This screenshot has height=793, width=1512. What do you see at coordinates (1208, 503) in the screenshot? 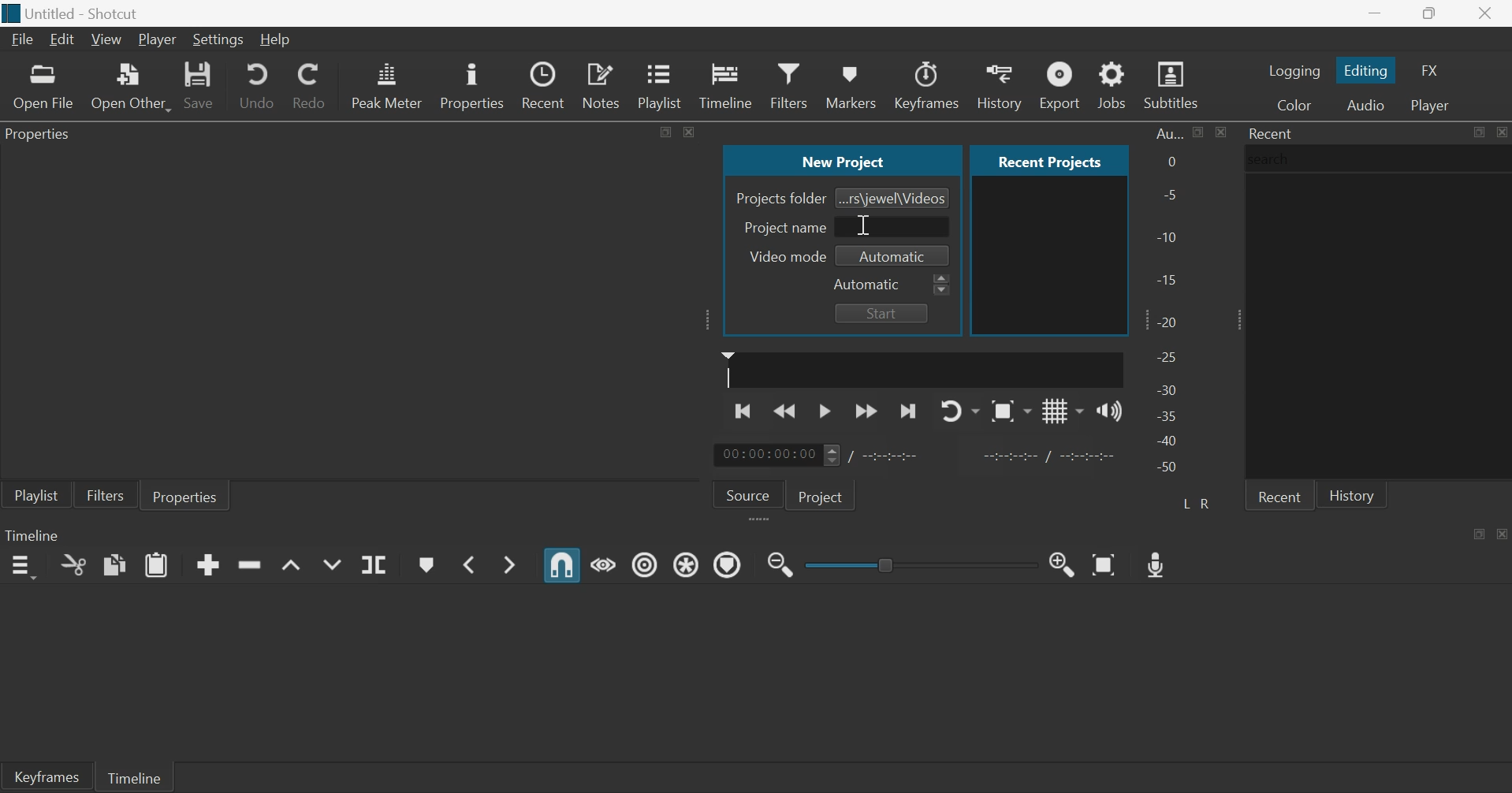
I see `Right` at bounding box center [1208, 503].